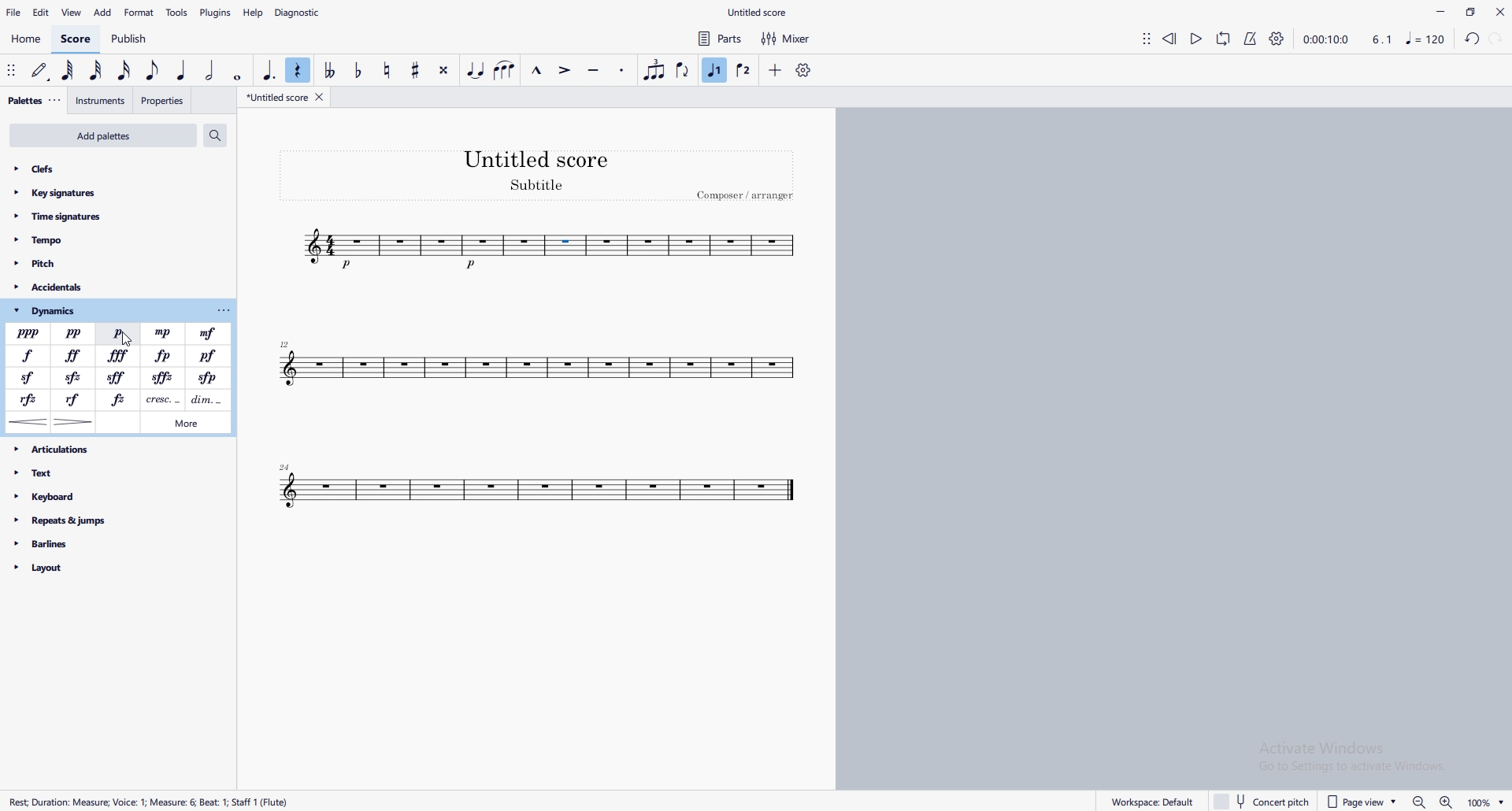 This screenshot has height=811, width=1512. What do you see at coordinates (594, 71) in the screenshot?
I see `tenuto` at bounding box center [594, 71].